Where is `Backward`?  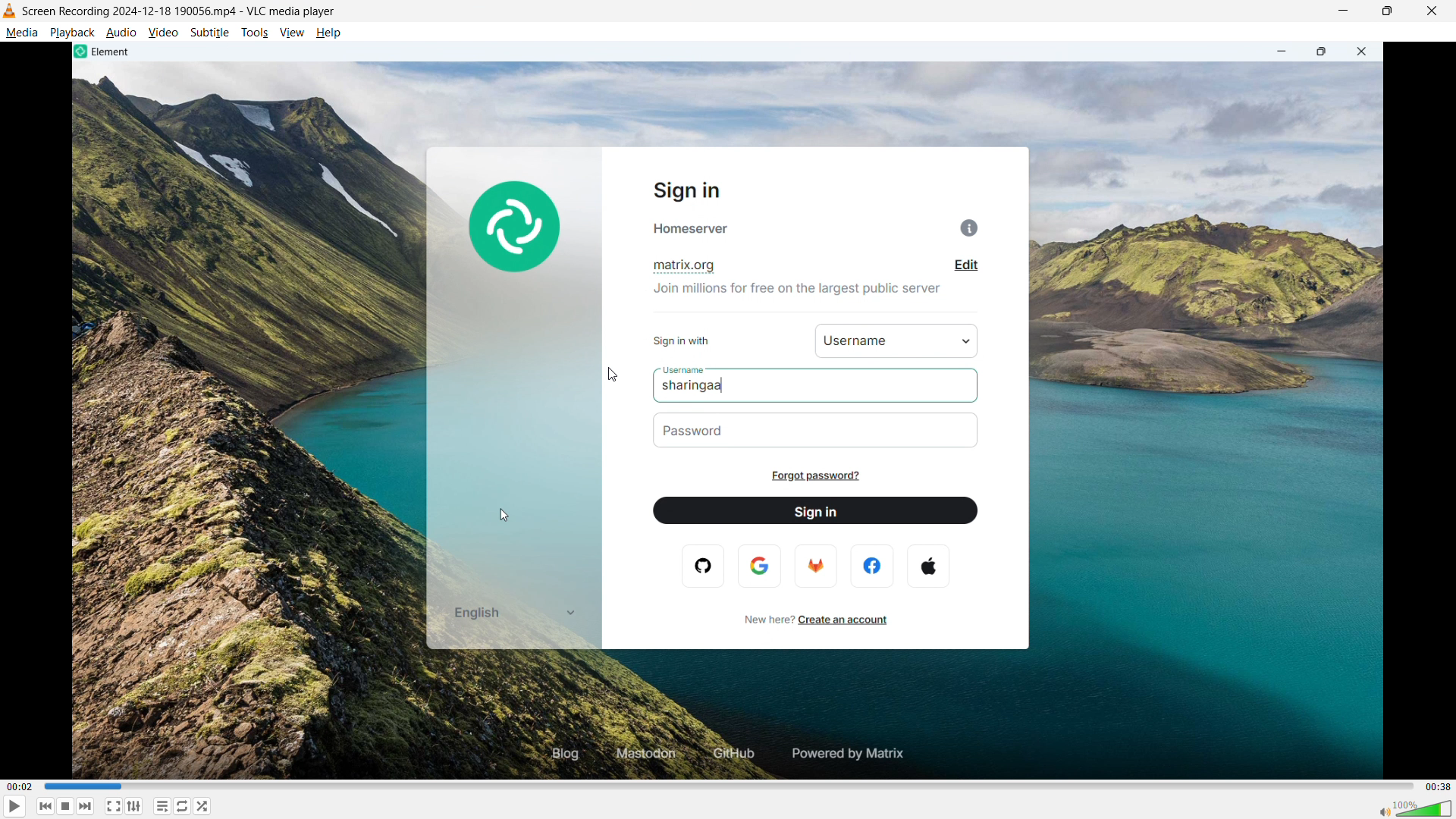
Backward is located at coordinates (60, 806).